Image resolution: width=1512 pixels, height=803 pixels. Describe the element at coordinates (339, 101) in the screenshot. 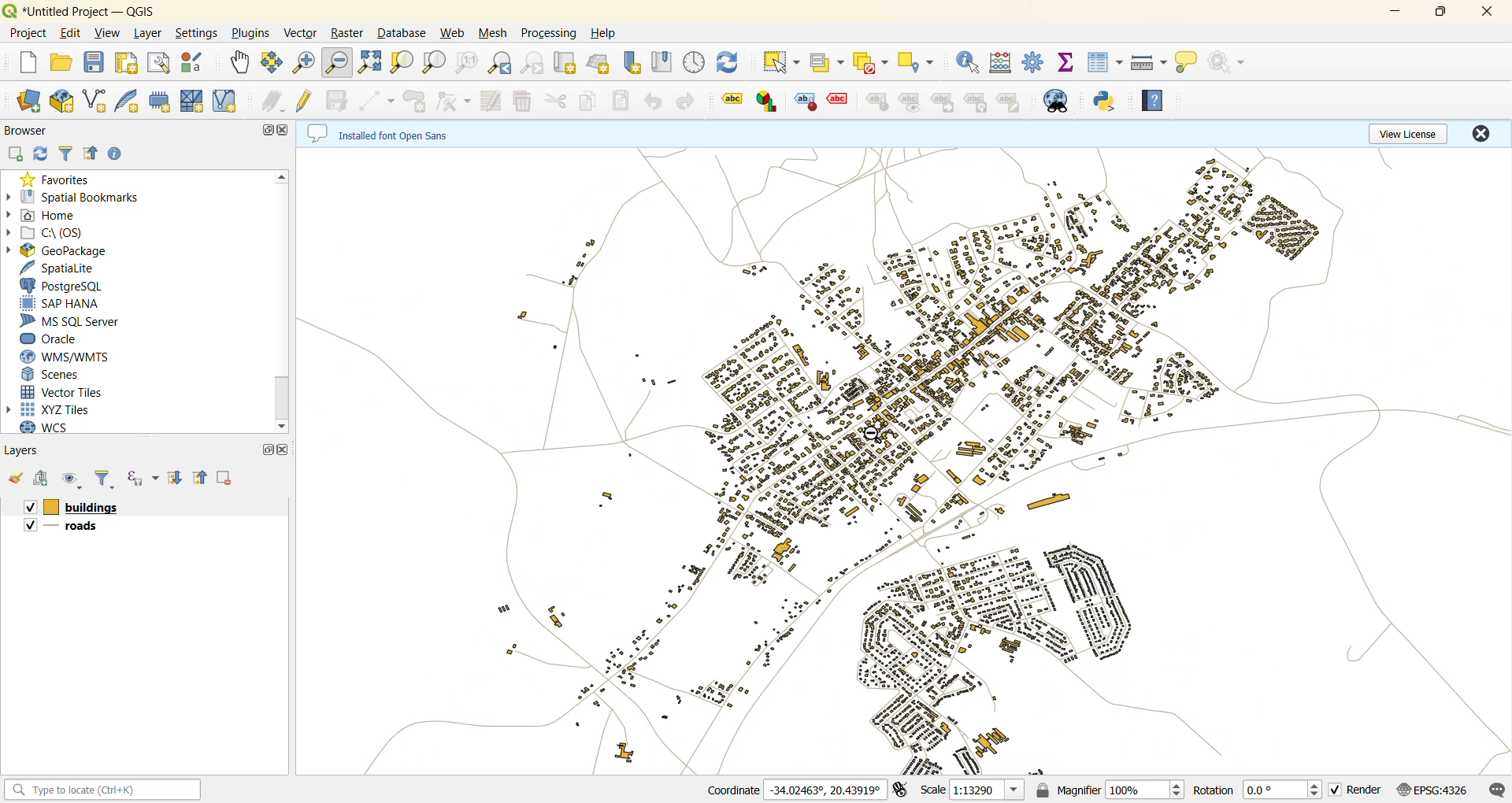

I see `save edits` at that location.